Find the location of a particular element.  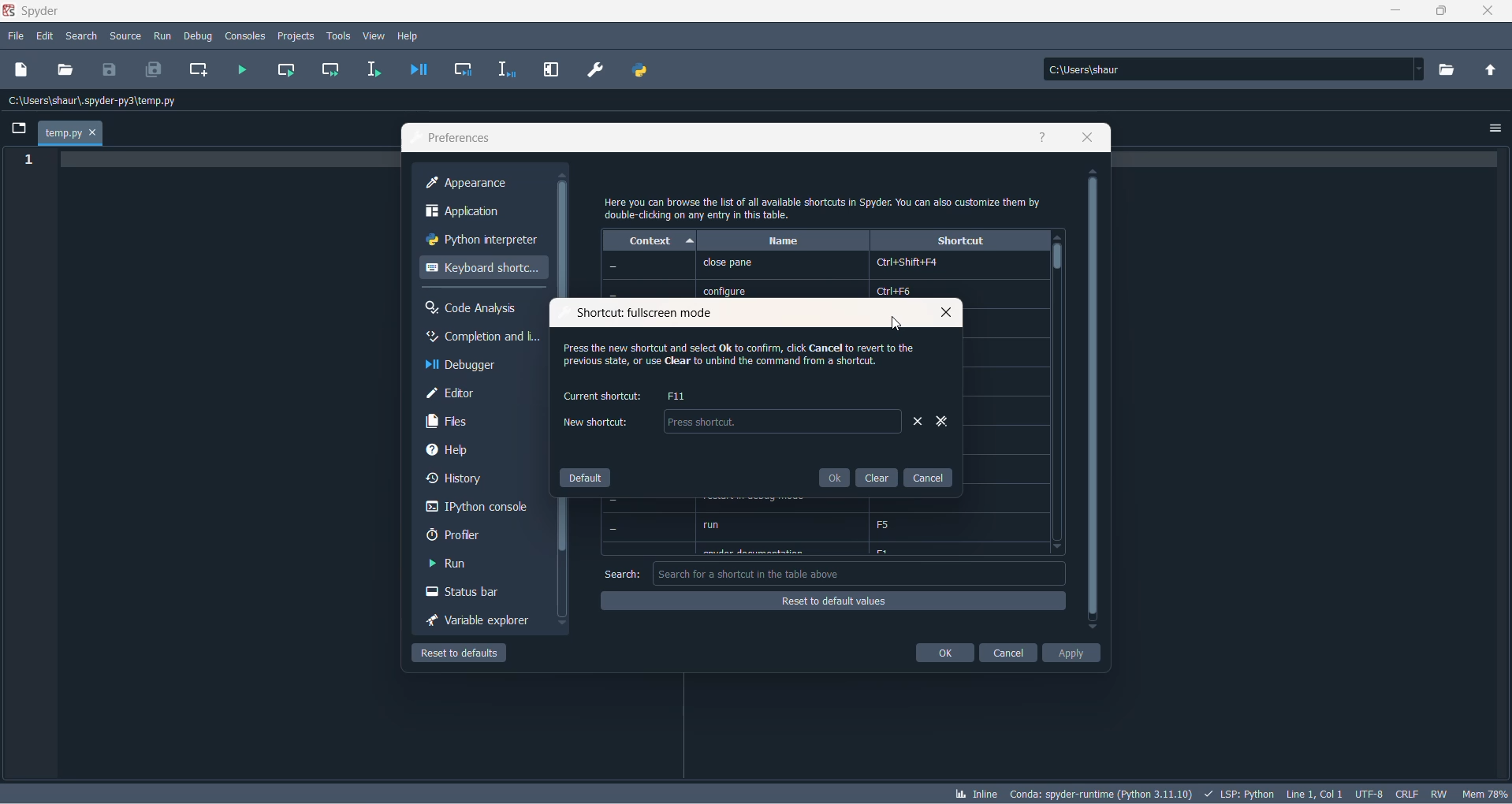

move up is located at coordinates (1057, 237).